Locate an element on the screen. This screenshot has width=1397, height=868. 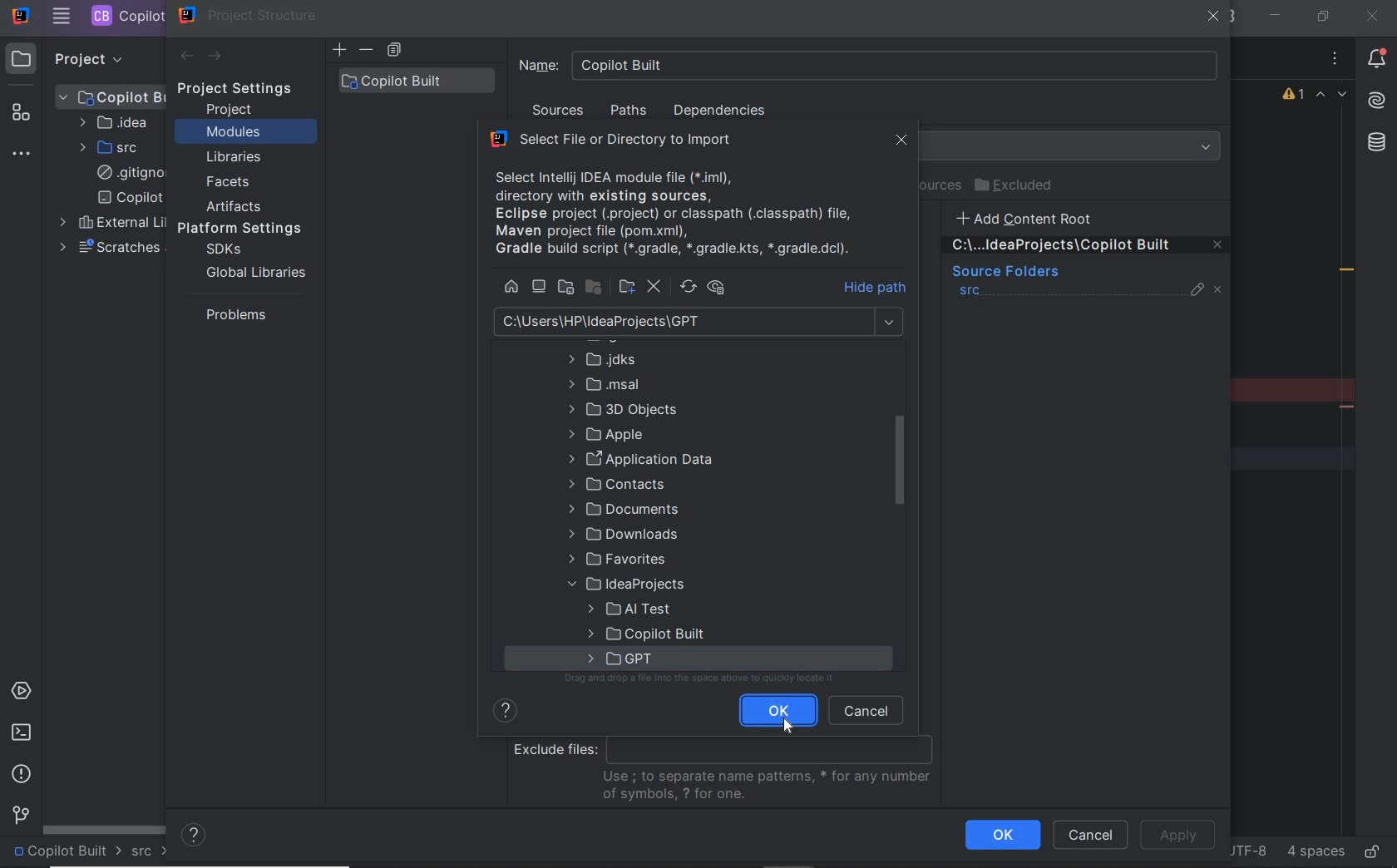
close is located at coordinates (1214, 18).